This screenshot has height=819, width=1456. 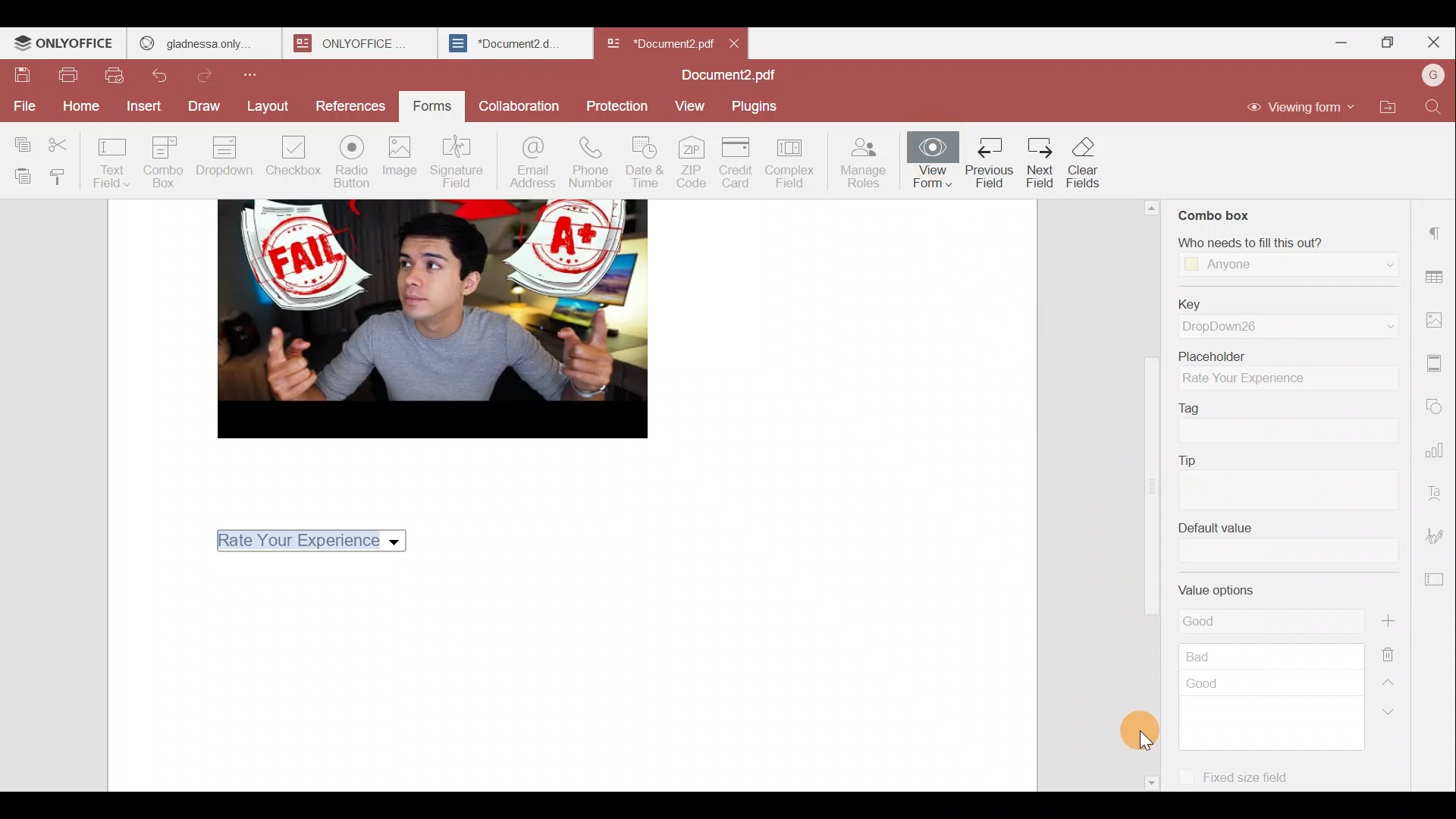 What do you see at coordinates (531, 162) in the screenshot?
I see `Email address` at bounding box center [531, 162].